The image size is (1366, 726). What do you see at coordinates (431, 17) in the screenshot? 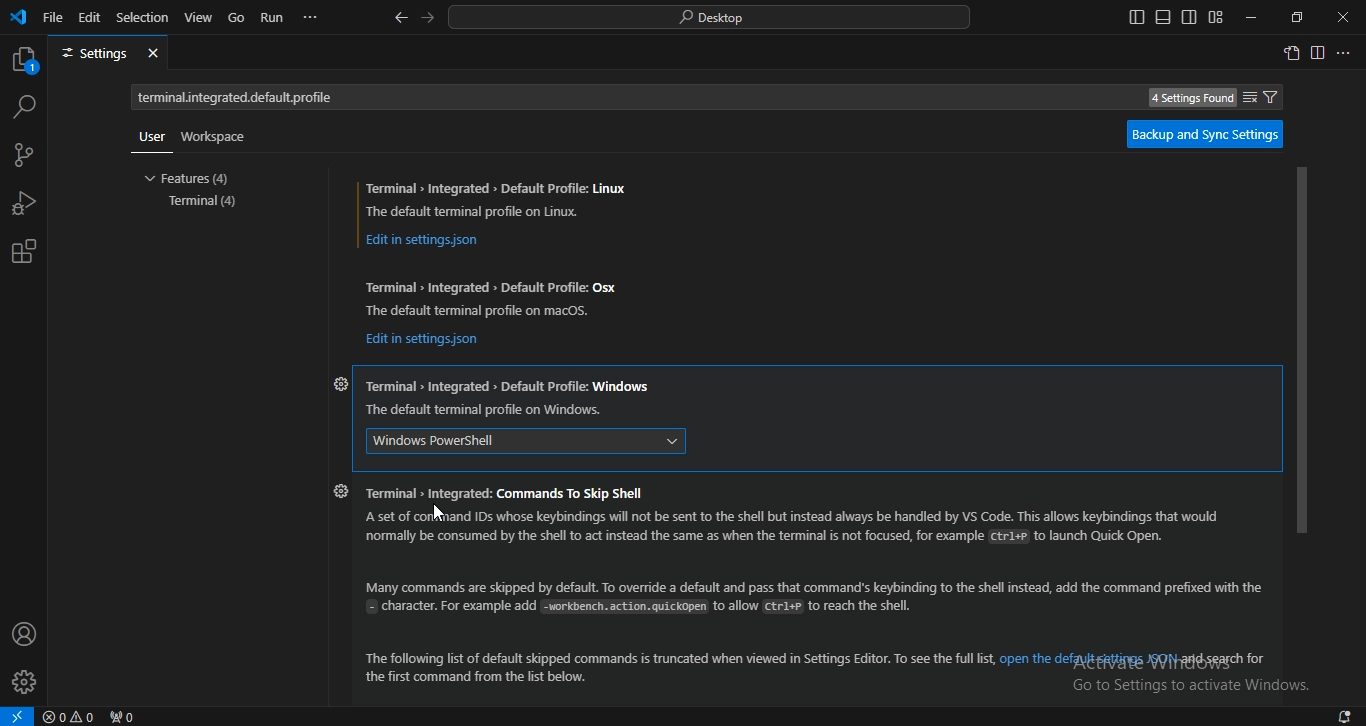
I see `go forward` at bounding box center [431, 17].